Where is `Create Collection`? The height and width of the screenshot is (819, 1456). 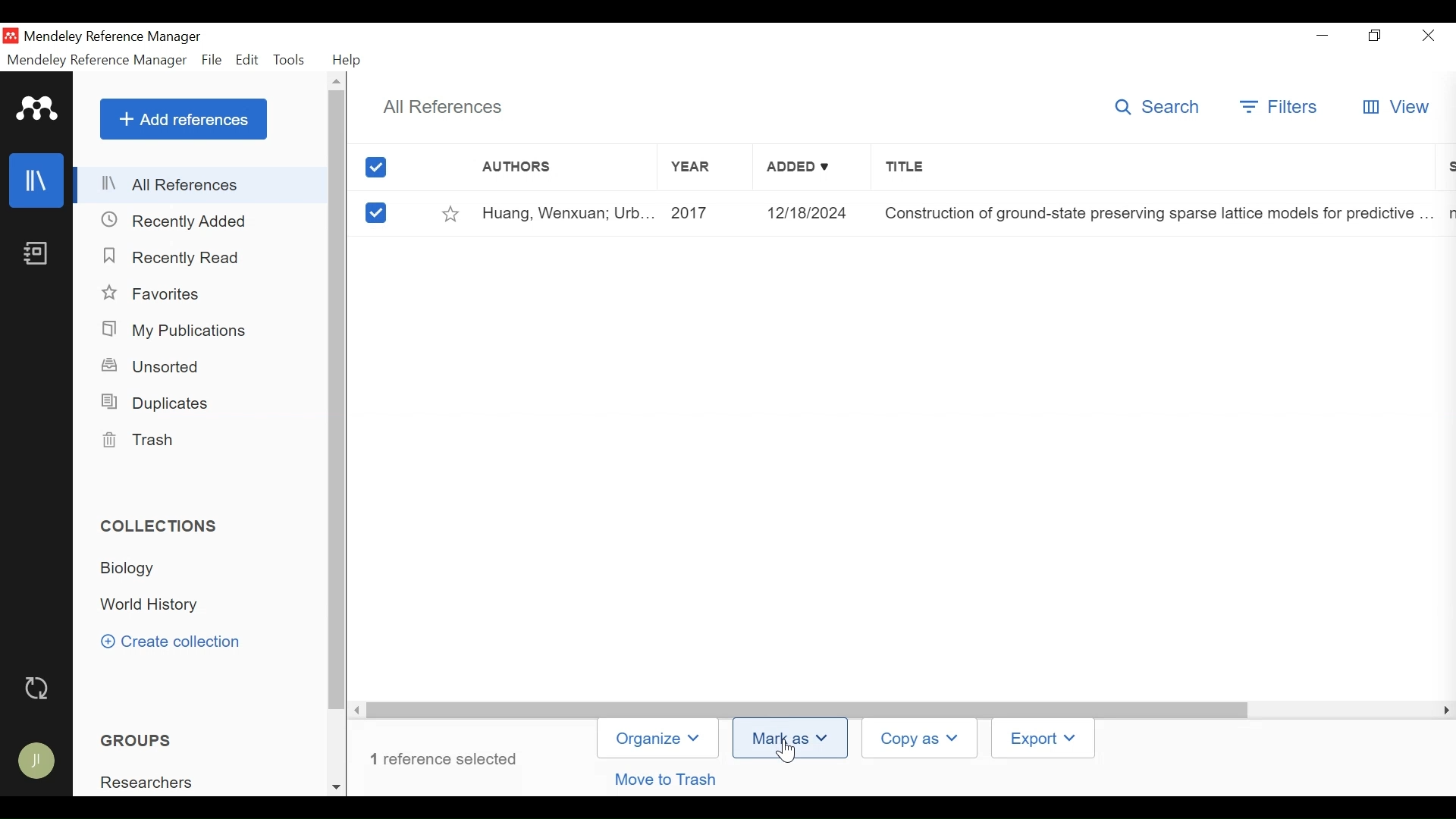 Create Collection is located at coordinates (180, 642).